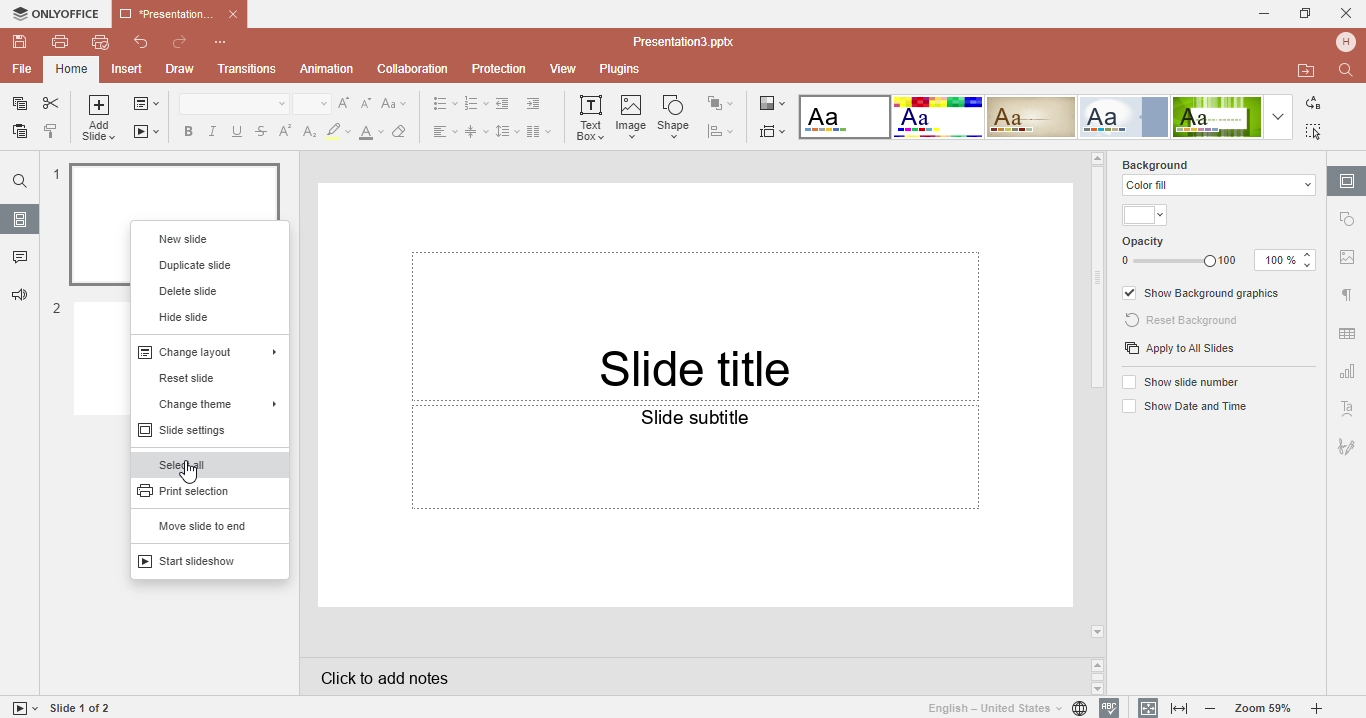 This screenshot has width=1366, height=718. What do you see at coordinates (16, 104) in the screenshot?
I see `Copy` at bounding box center [16, 104].